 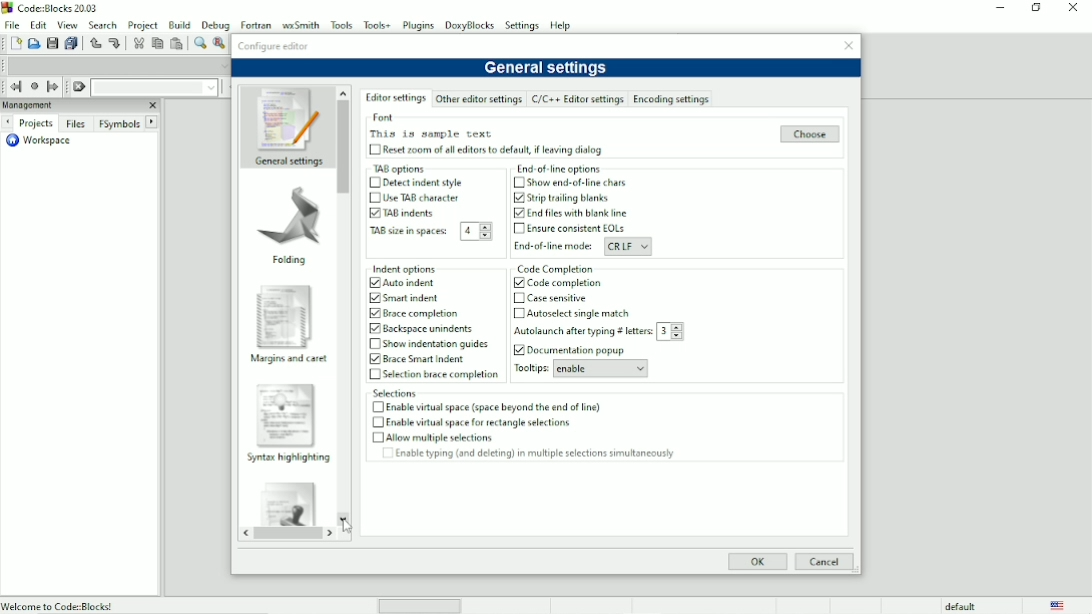 I want to click on , so click(x=517, y=281).